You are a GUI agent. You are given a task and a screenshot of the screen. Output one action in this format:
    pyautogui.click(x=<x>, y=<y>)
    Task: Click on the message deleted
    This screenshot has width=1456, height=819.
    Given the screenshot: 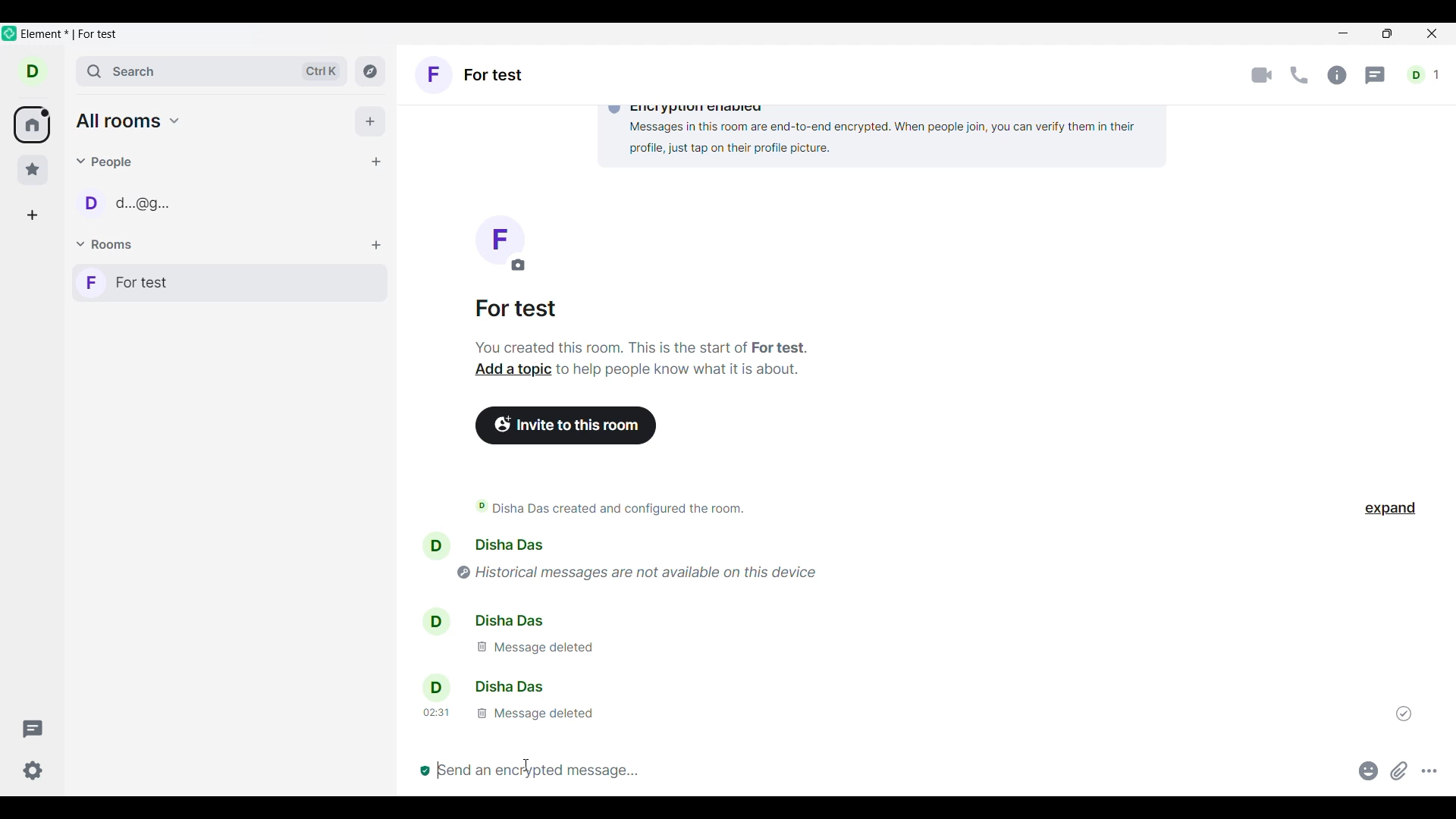 What is the action you would take?
    pyautogui.click(x=512, y=715)
    